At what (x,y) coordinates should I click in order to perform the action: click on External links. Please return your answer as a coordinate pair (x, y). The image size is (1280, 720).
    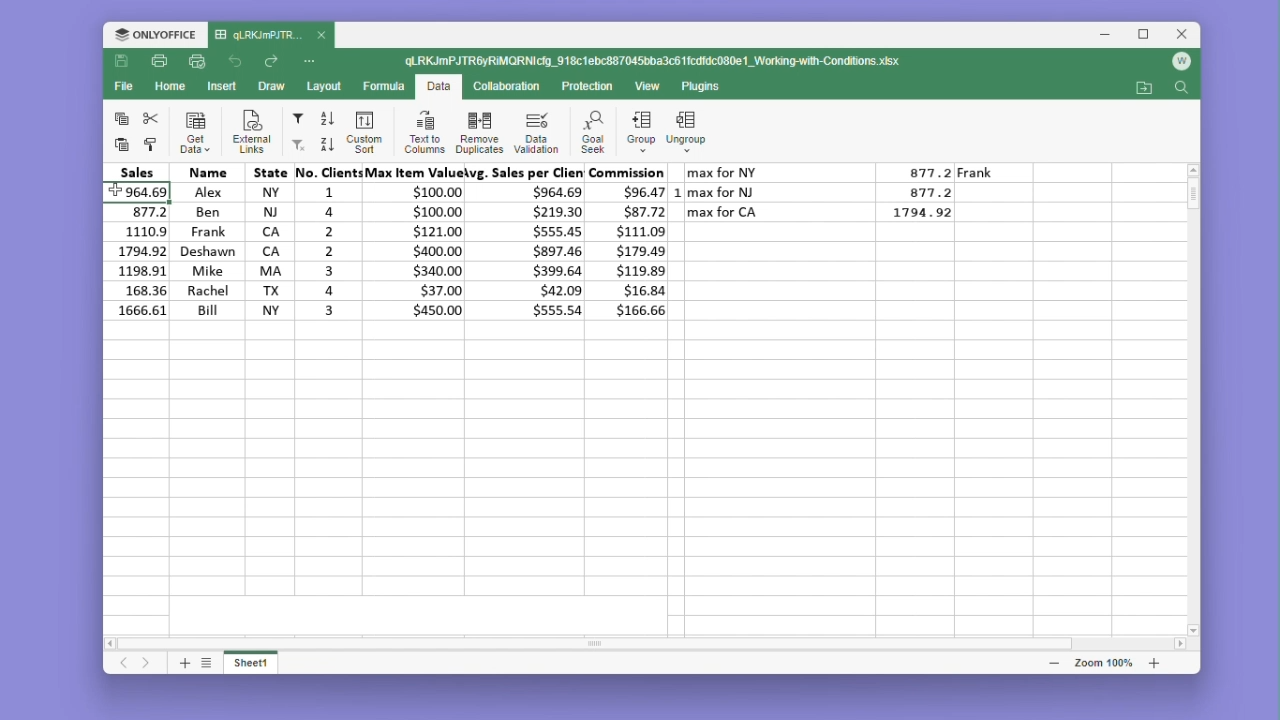
    Looking at the image, I should click on (248, 132).